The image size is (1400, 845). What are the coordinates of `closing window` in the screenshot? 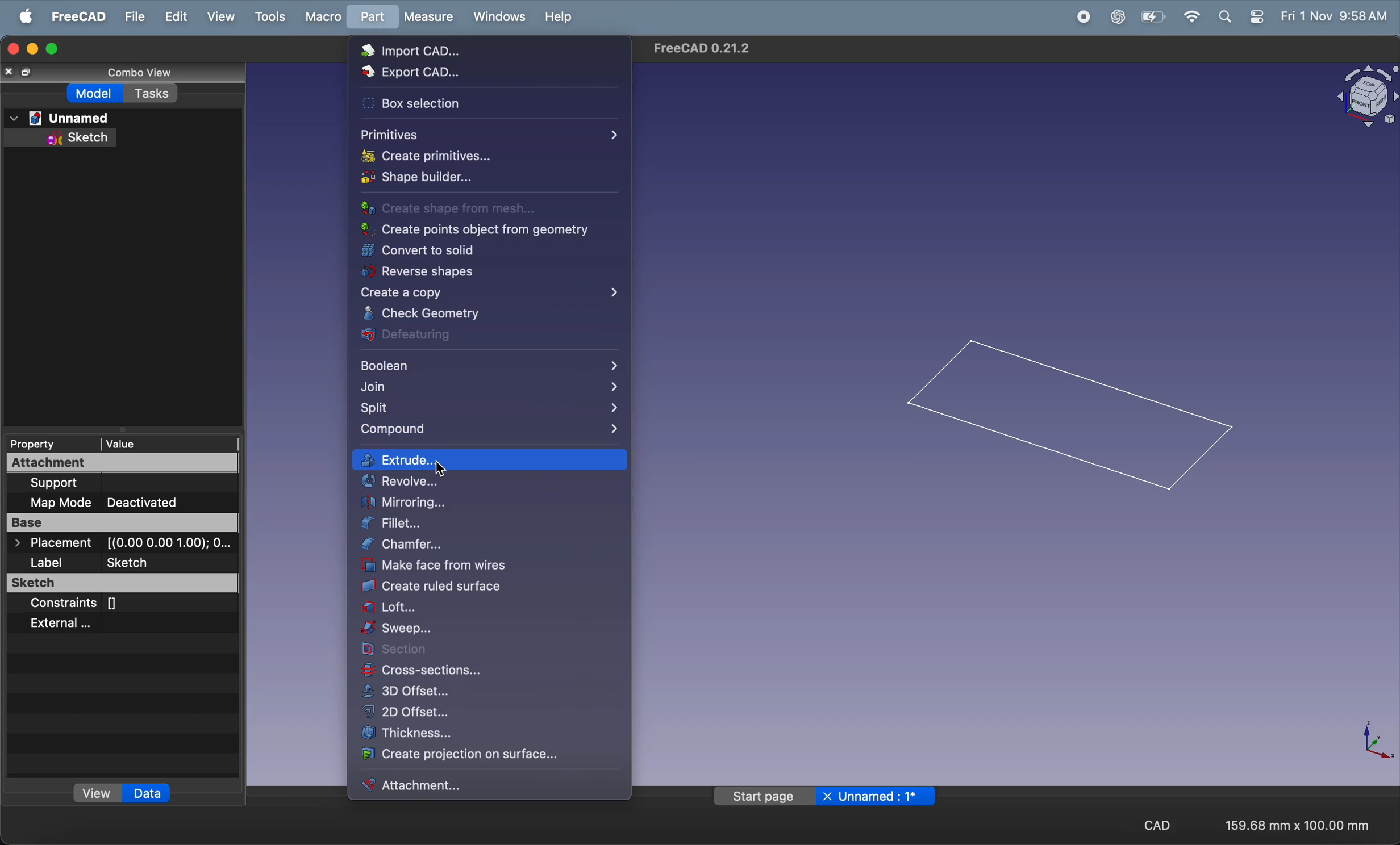 It's located at (10, 50).